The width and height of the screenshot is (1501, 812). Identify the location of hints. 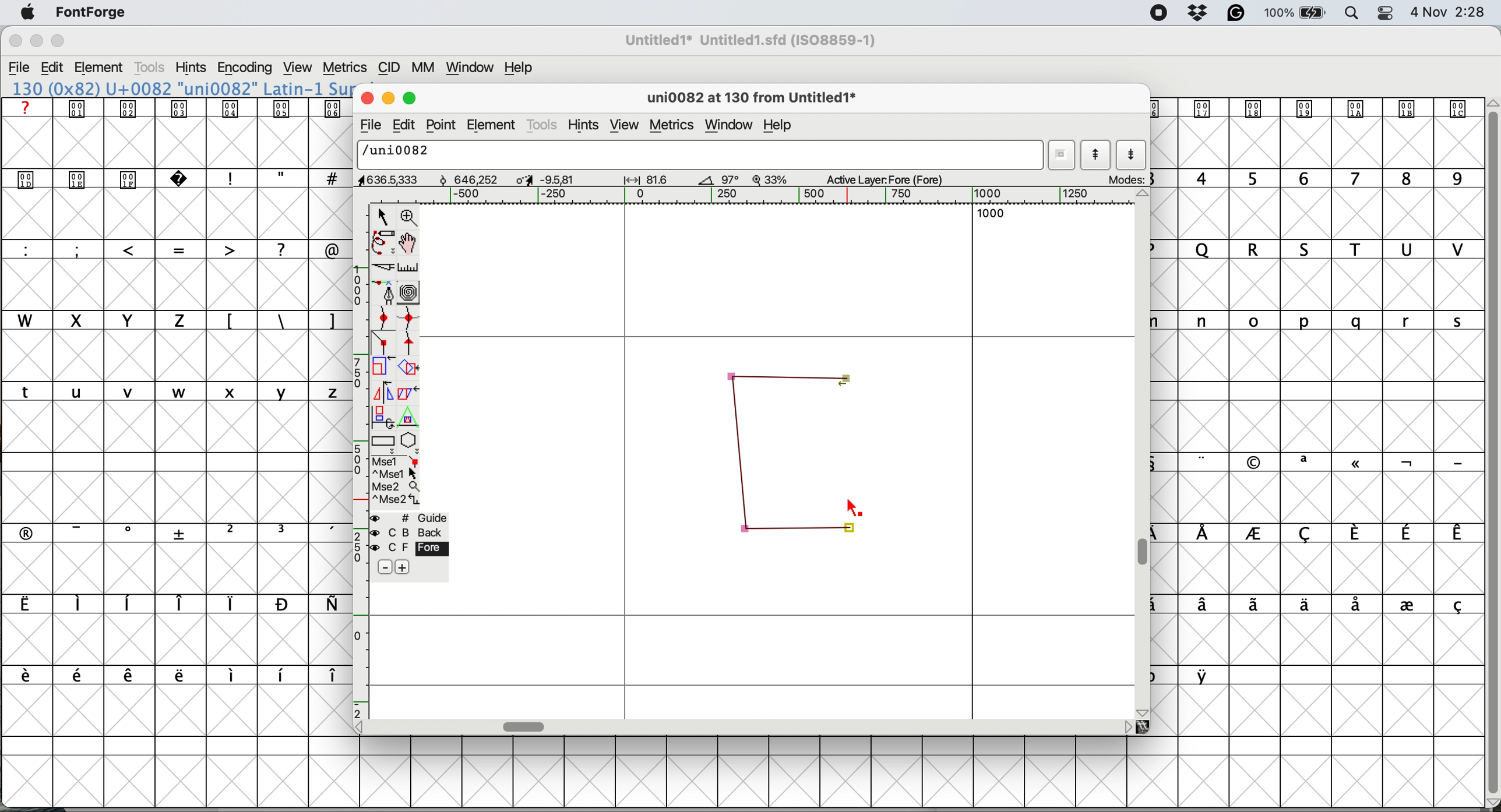
(584, 126).